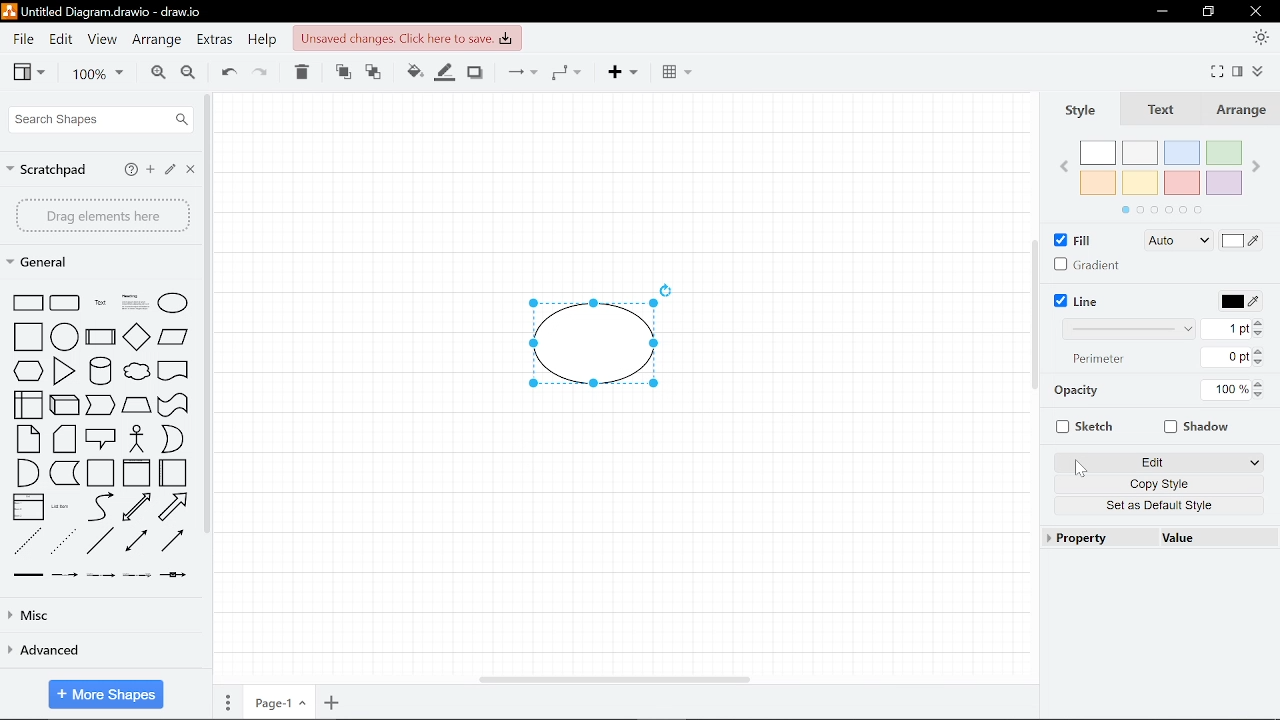 The width and height of the screenshot is (1280, 720). What do you see at coordinates (1254, 11) in the screenshot?
I see `Close window` at bounding box center [1254, 11].